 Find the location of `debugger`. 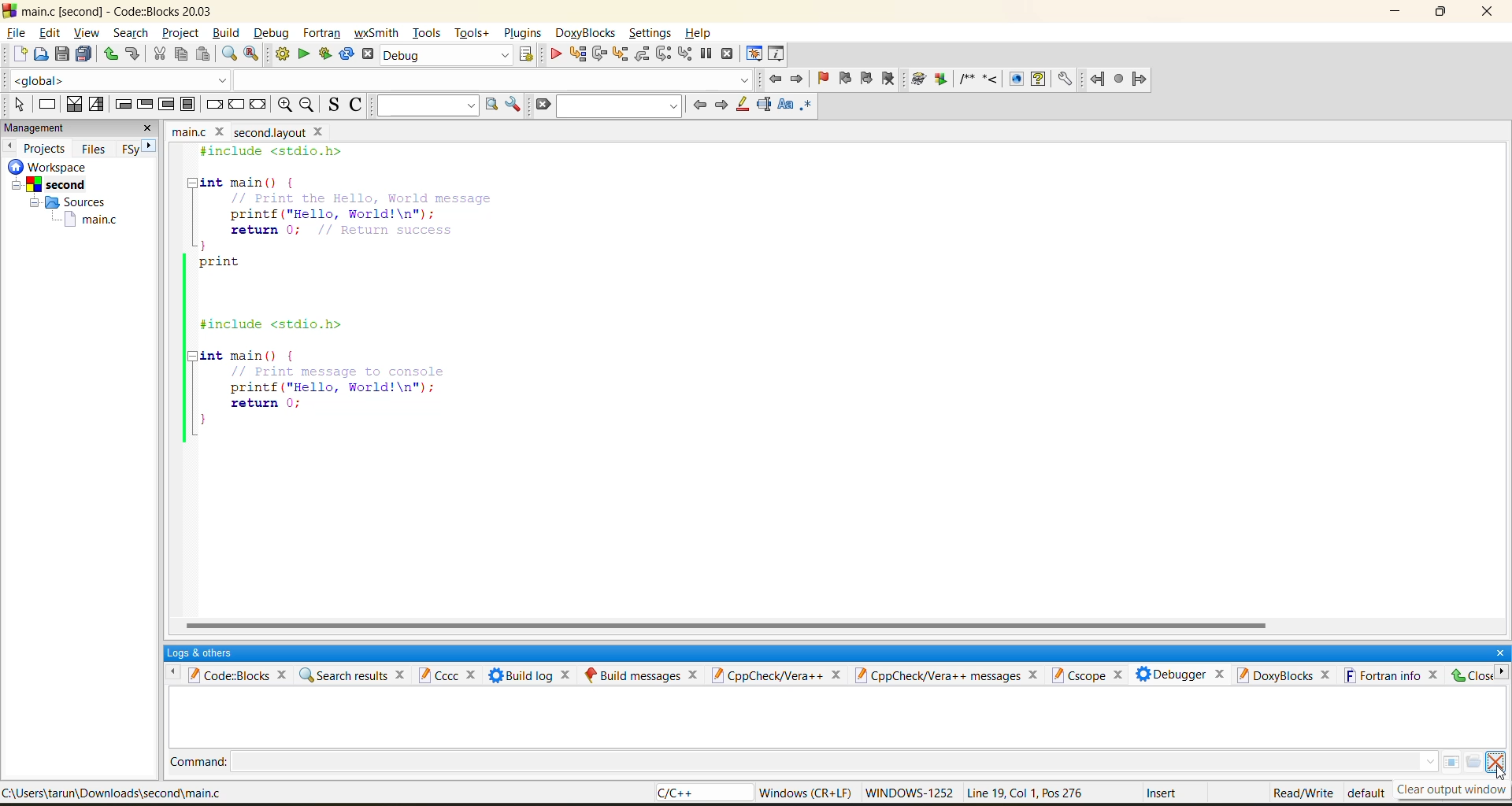

debugger is located at coordinates (1184, 676).